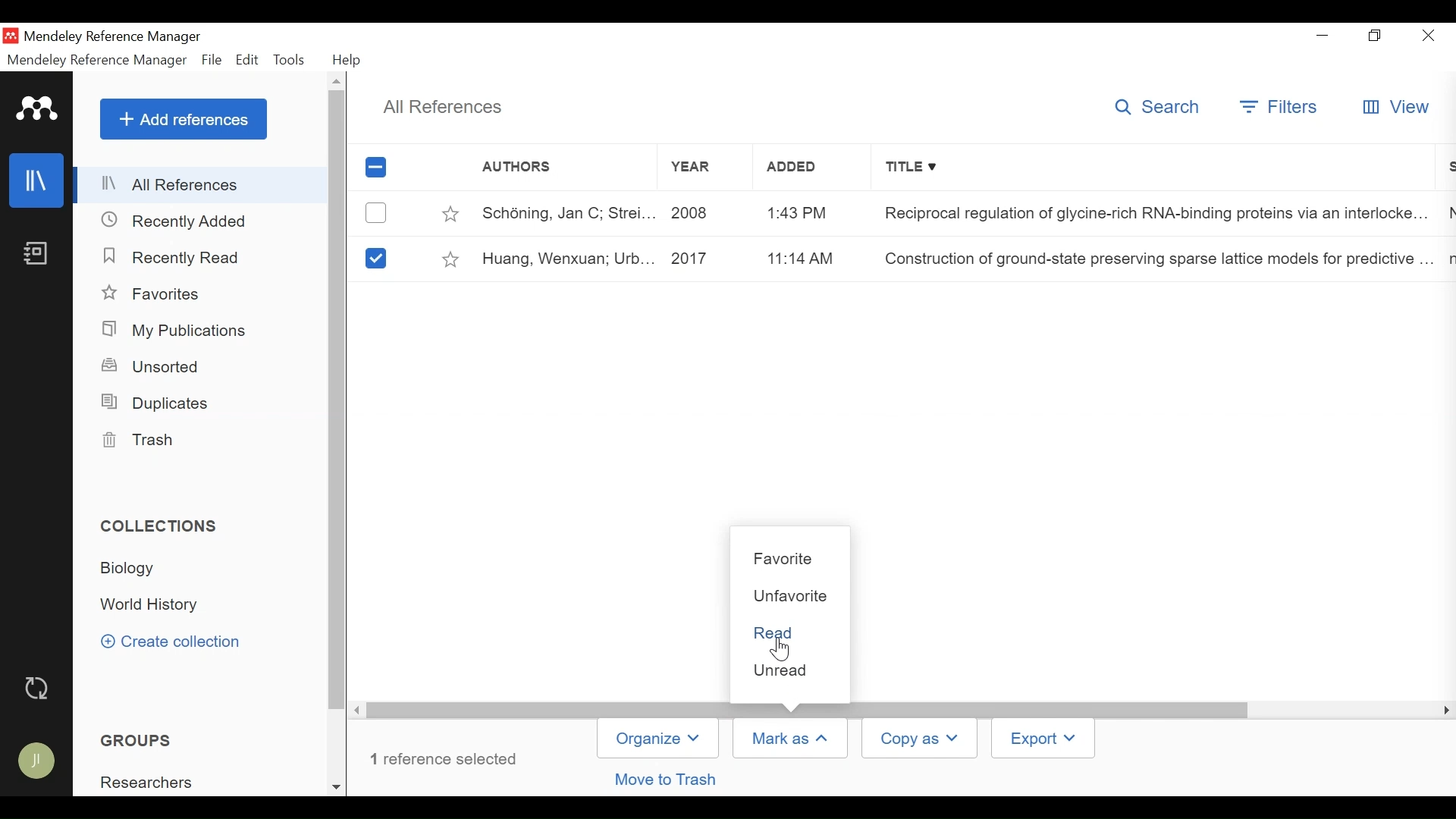  I want to click on Copy As, so click(918, 739).